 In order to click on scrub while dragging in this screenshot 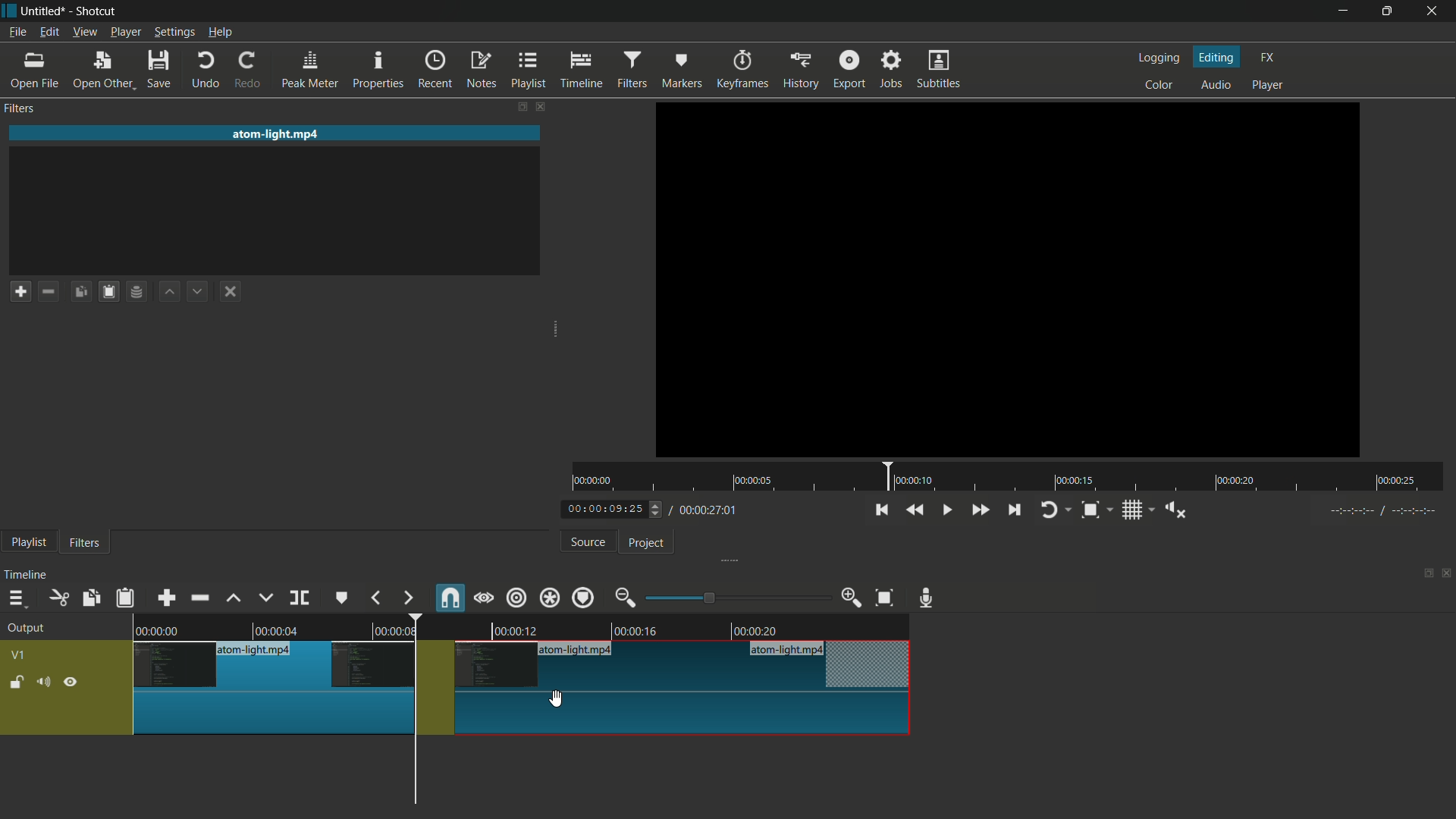, I will do `click(484, 598)`.